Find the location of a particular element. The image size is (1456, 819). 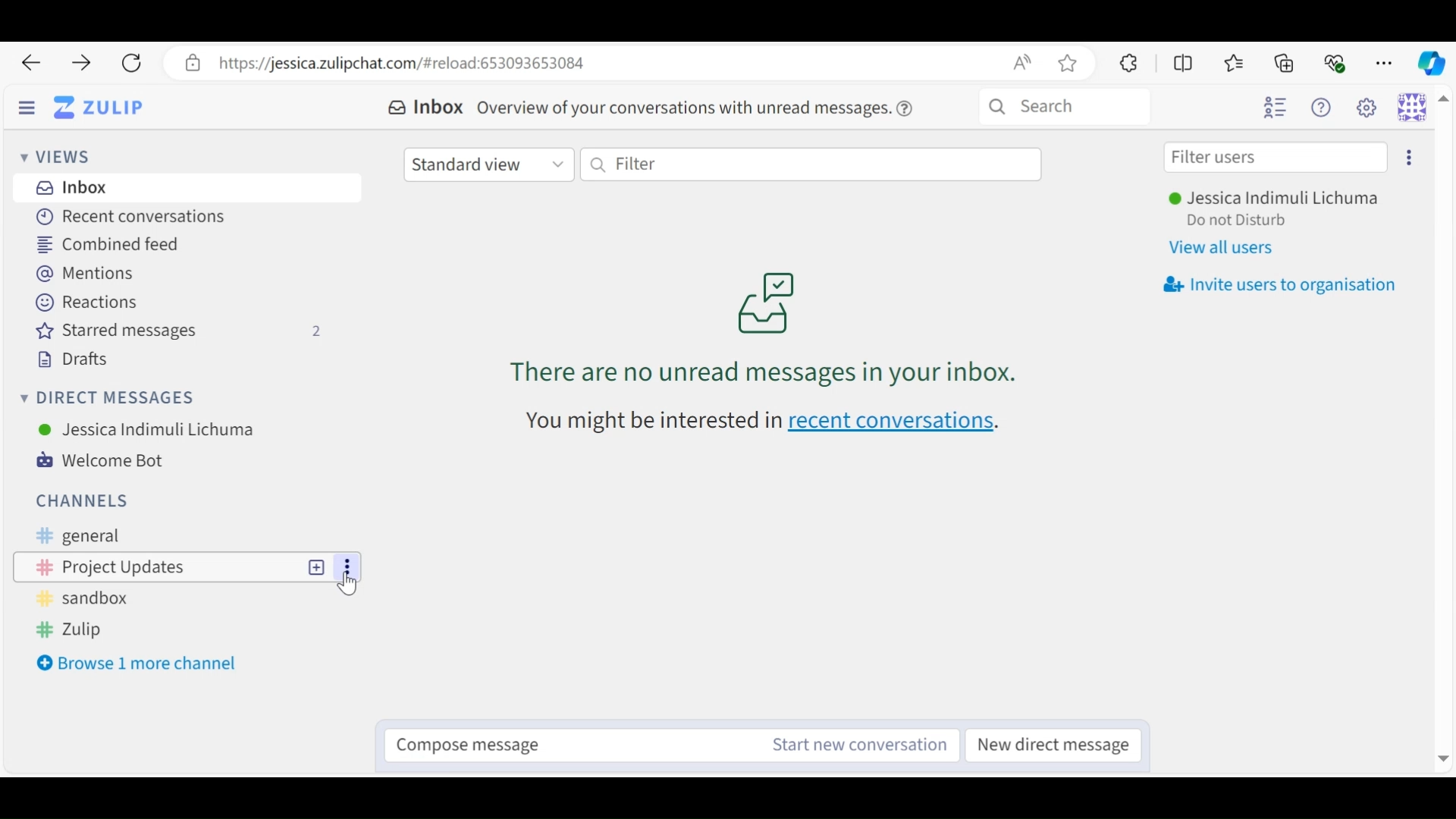

Go back is located at coordinates (30, 63).